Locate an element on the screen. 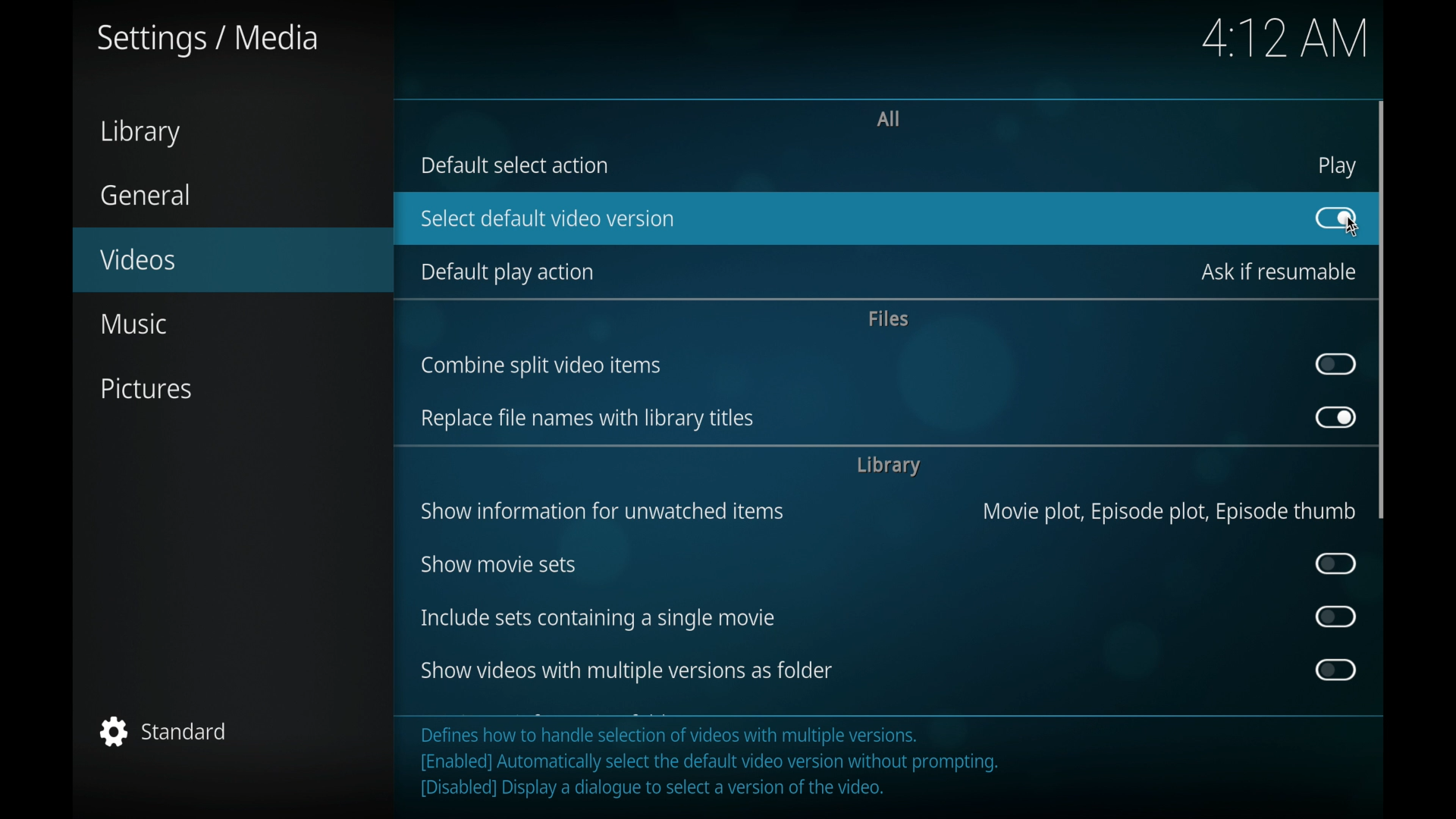 Image resolution: width=1456 pixels, height=819 pixels. cursor is located at coordinates (1357, 227).